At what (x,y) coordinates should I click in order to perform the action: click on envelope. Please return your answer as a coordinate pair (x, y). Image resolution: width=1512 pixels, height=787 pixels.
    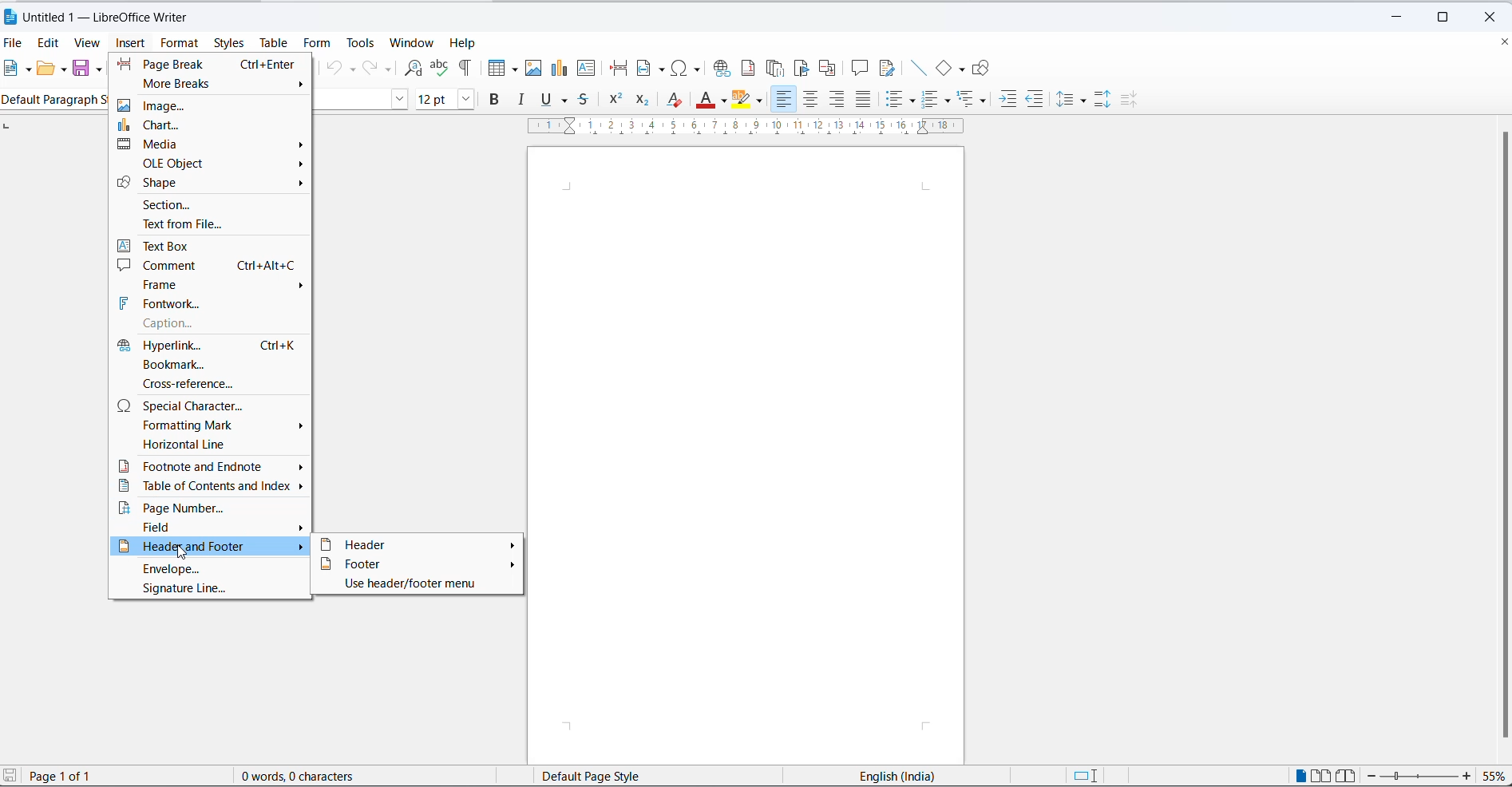
    Looking at the image, I should click on (212, 569).